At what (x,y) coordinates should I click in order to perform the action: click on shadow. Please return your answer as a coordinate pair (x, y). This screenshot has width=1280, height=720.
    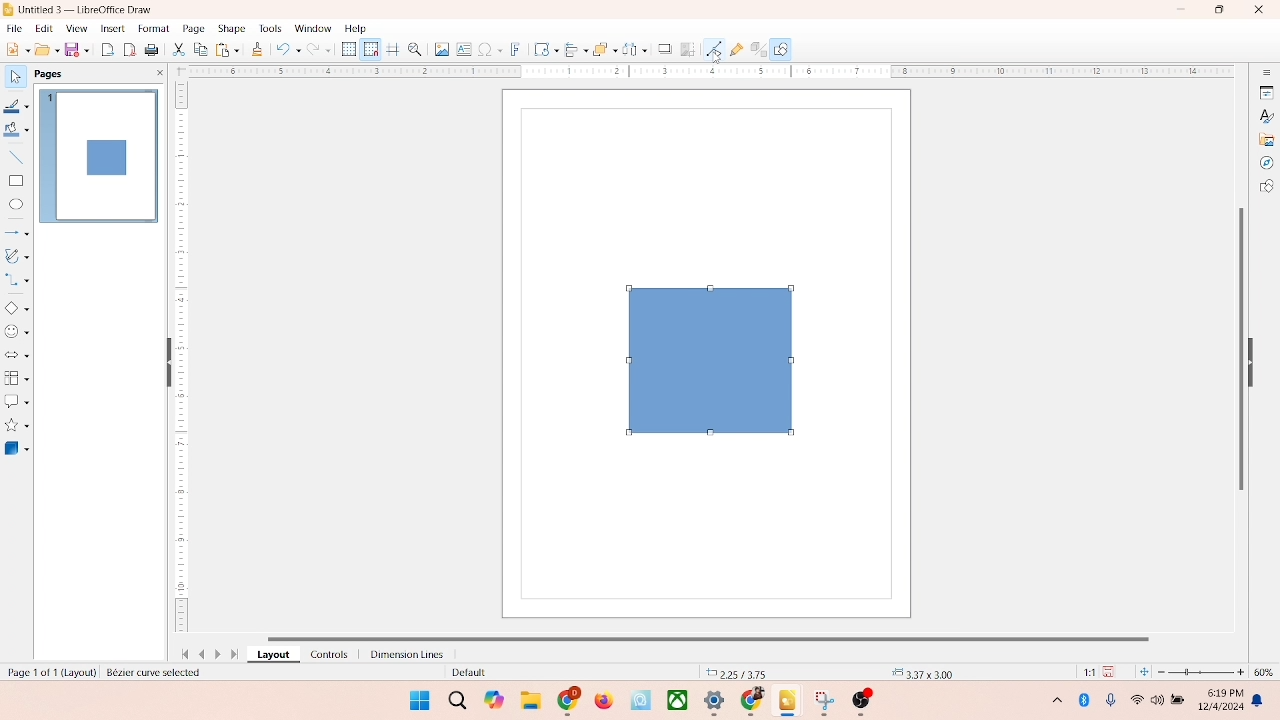
    Looking at the image, I should click on (662, 47).